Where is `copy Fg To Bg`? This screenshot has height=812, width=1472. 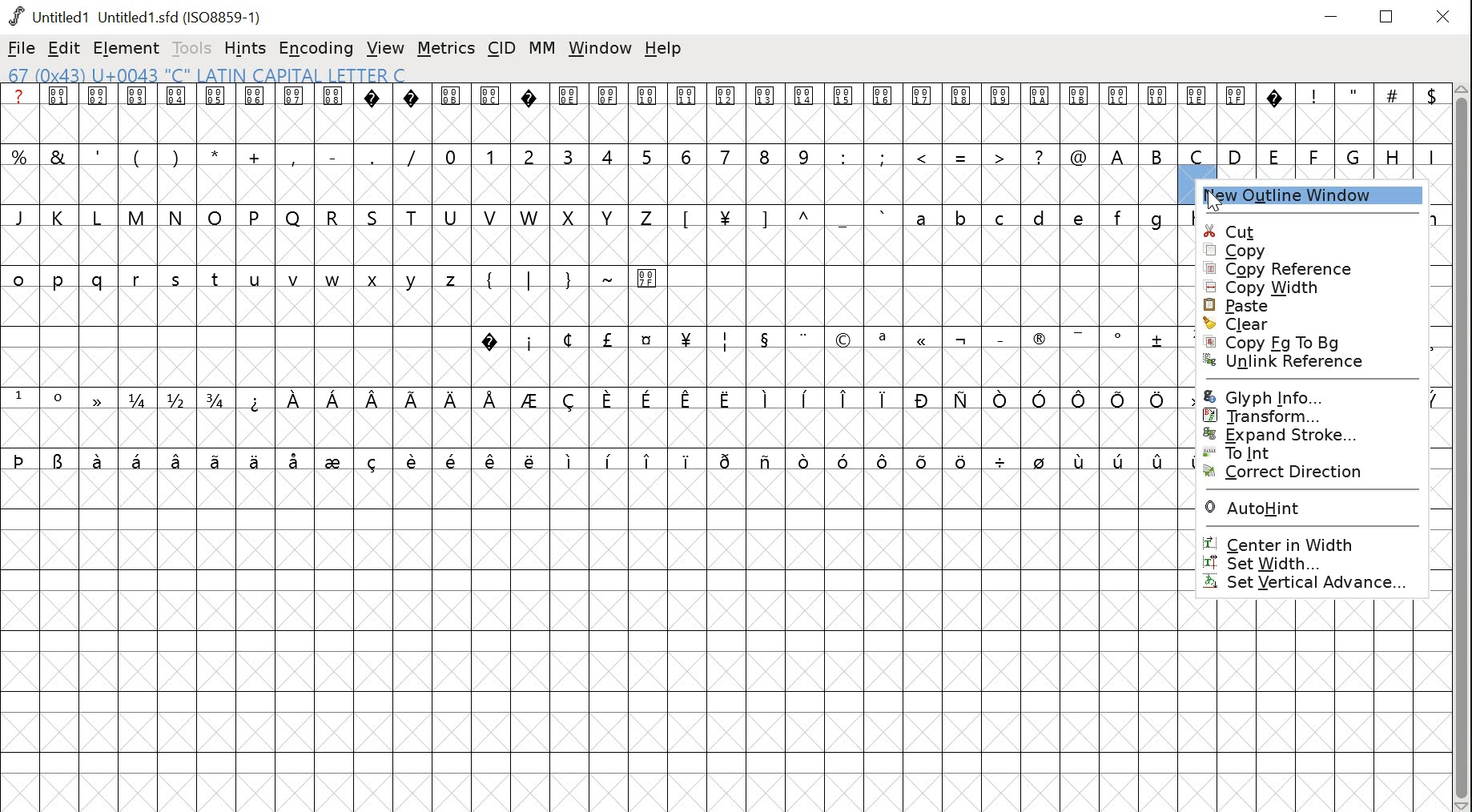 copy Fg To Bg is located at coordinates (1291, 342).